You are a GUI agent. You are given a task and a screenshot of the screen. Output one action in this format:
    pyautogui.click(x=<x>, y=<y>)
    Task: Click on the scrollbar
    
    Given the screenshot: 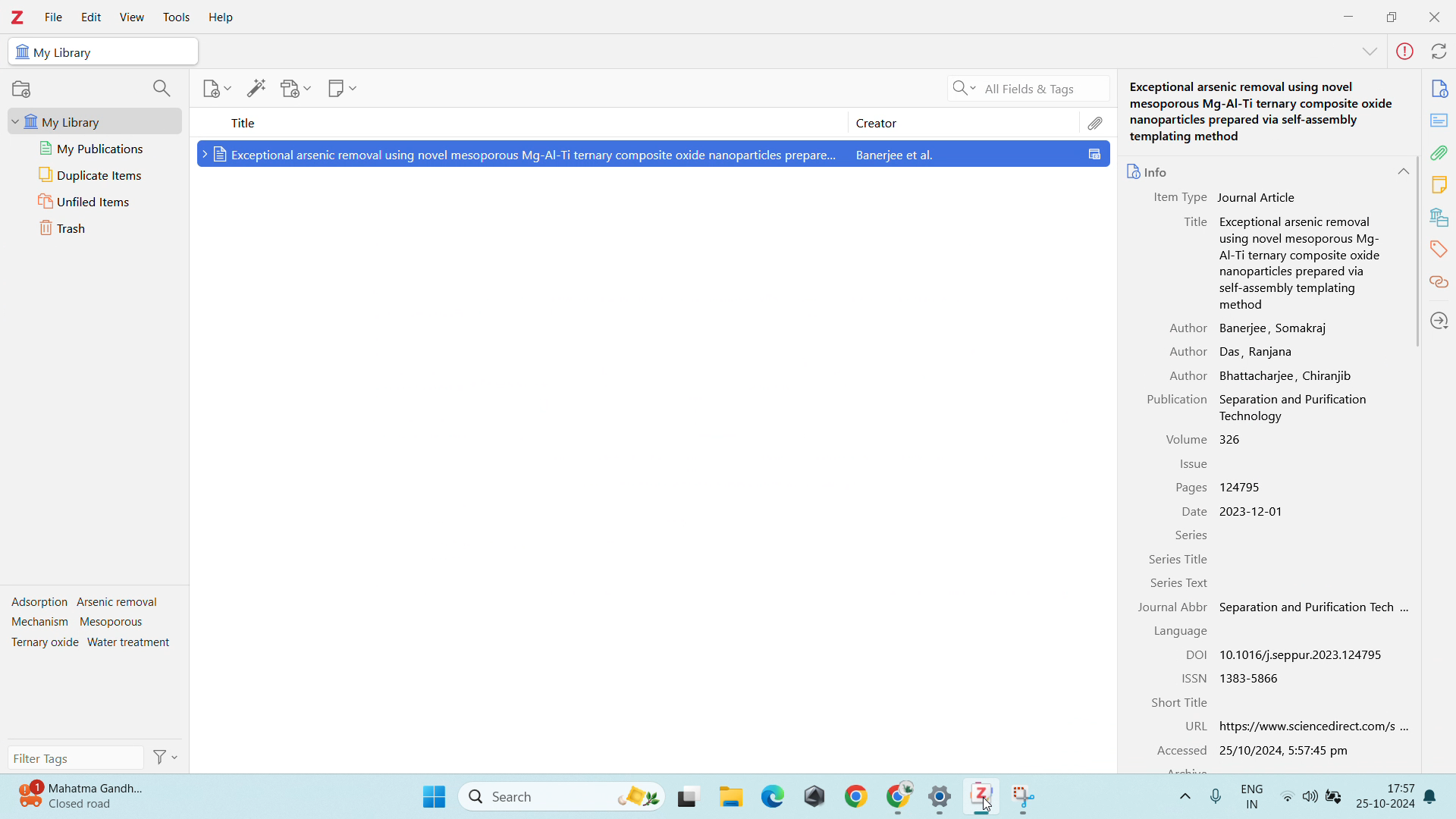 What is the action you would take?
    pyautogui.click(x=1418, y=252)
    